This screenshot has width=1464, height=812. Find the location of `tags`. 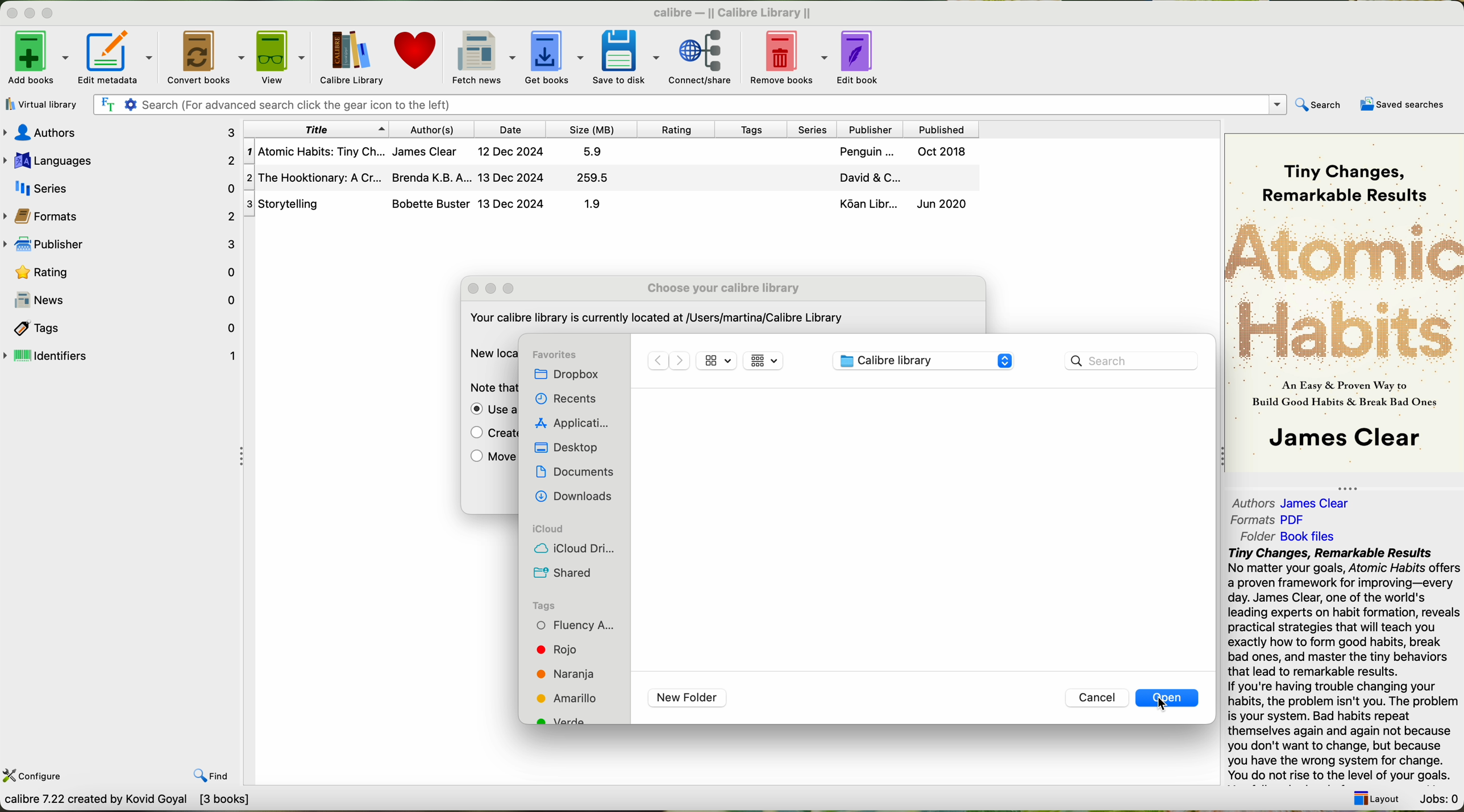

tags is located at coordinates (578, 605).